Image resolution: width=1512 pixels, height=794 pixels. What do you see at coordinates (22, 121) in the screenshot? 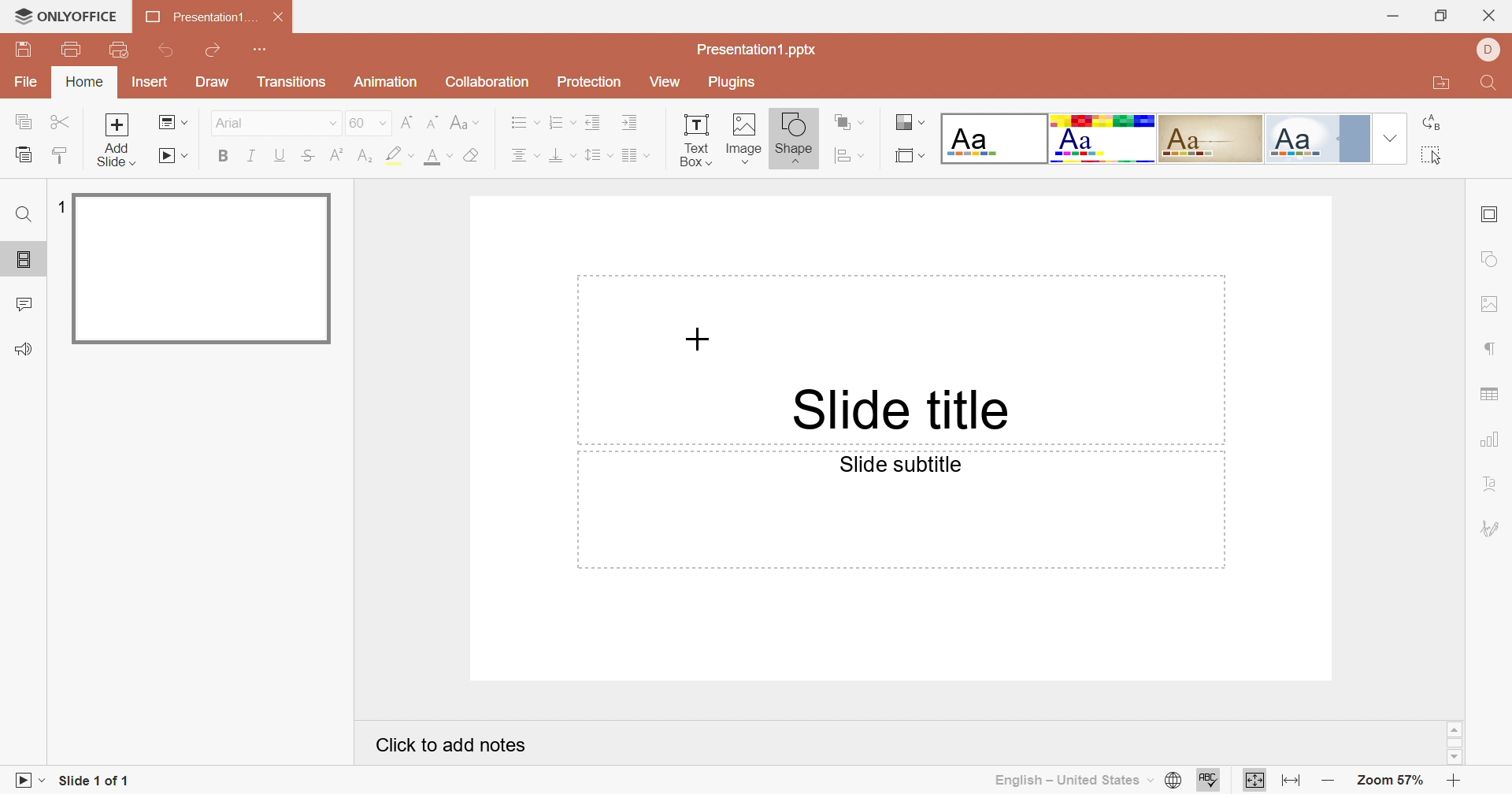
I see `Copy` at bounding box center [22, 121].